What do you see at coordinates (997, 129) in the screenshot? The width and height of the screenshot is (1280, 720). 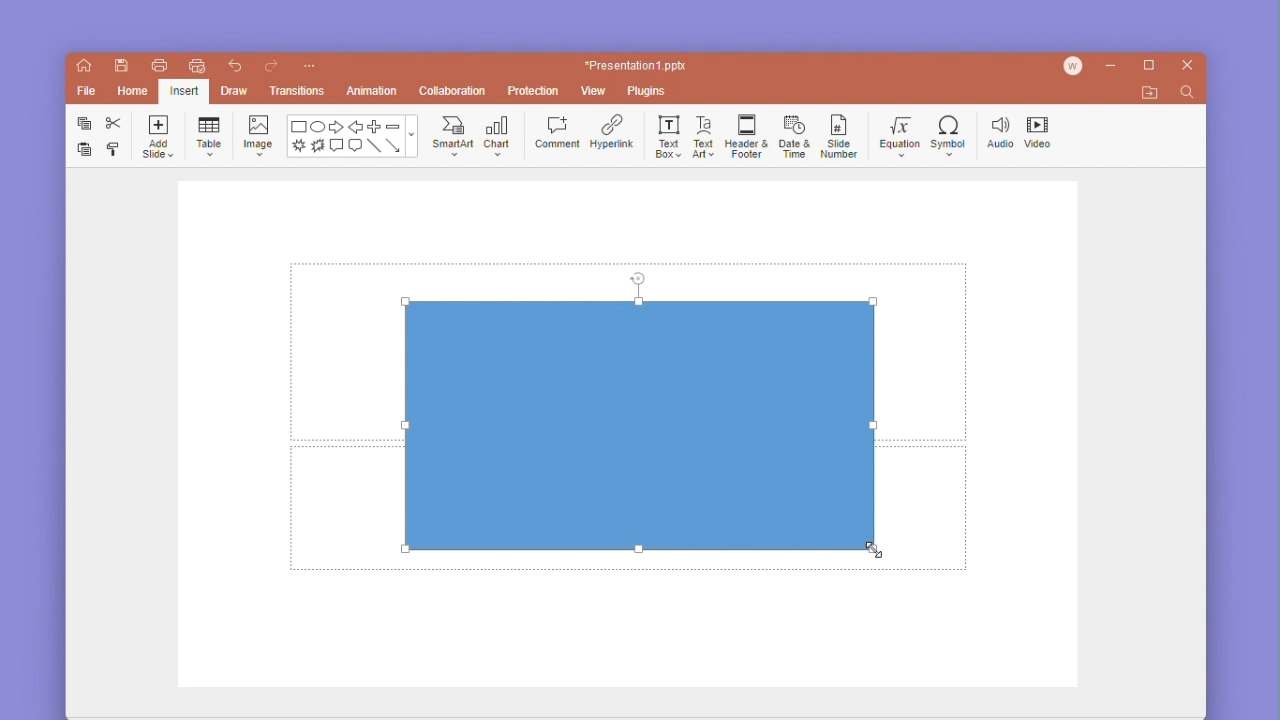 I see `audio` at bounding box center [997, 129].